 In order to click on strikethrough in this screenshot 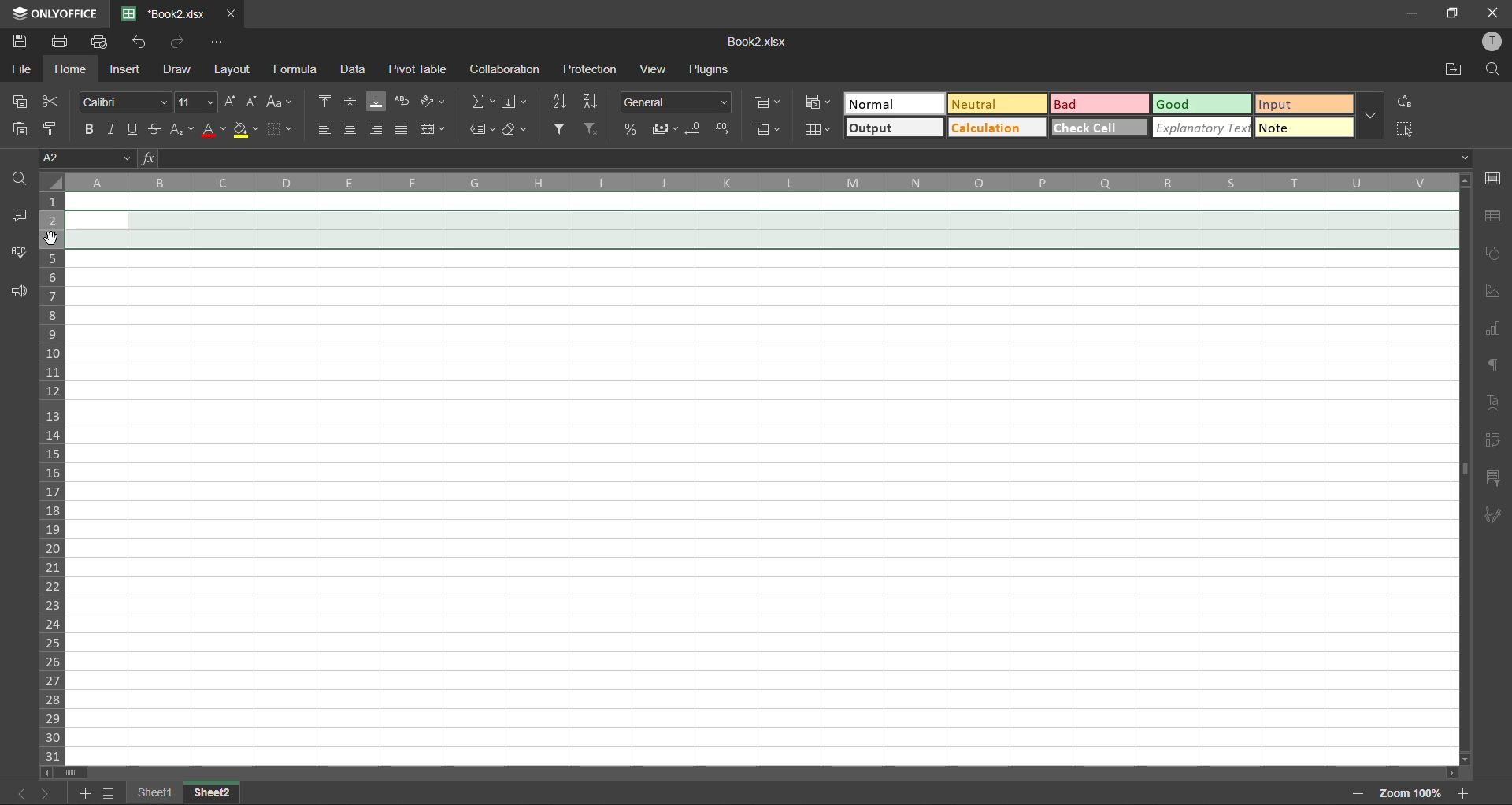, I will do `click(155, 127)`.